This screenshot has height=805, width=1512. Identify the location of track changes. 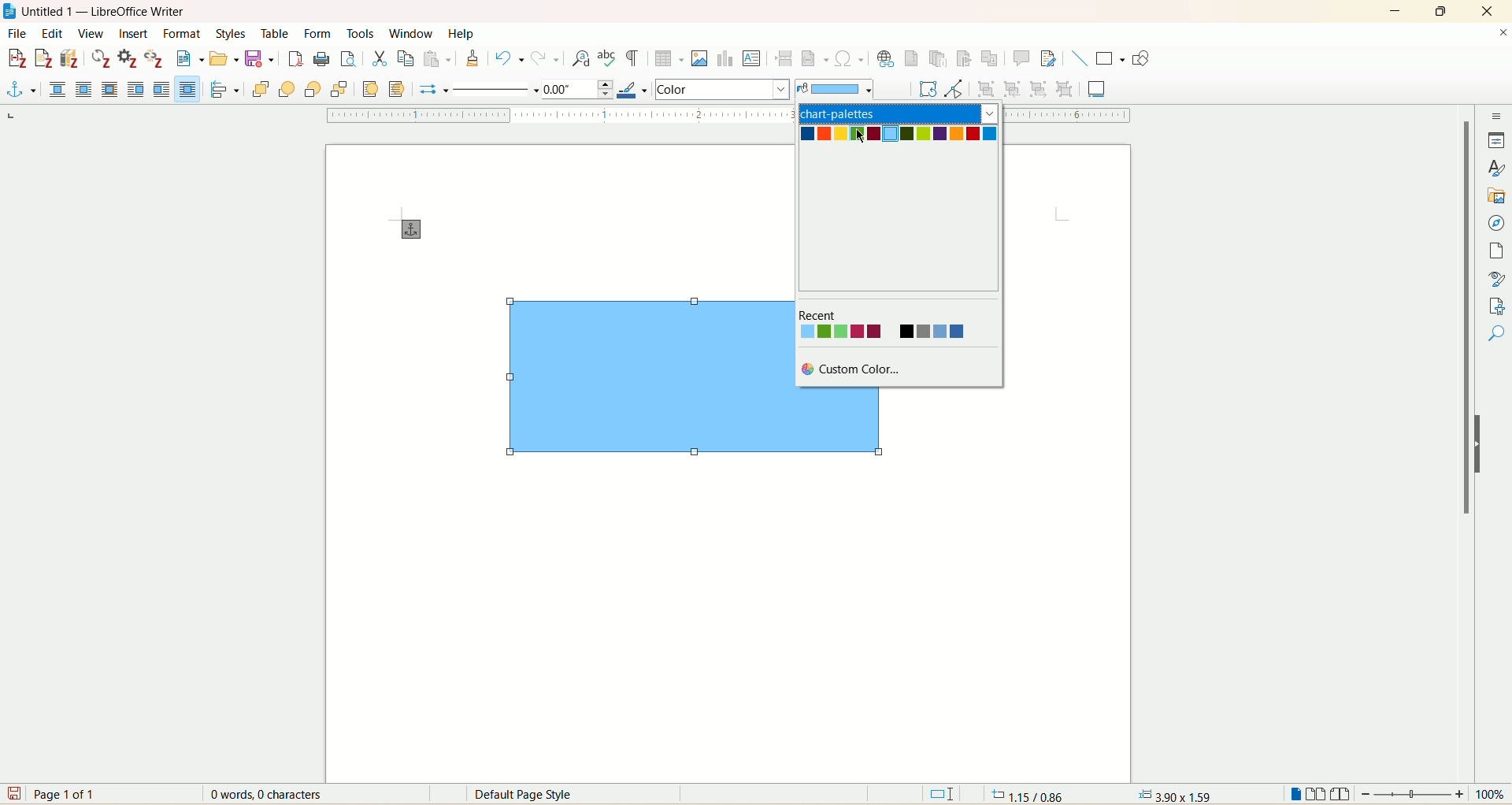
(1046, 58).